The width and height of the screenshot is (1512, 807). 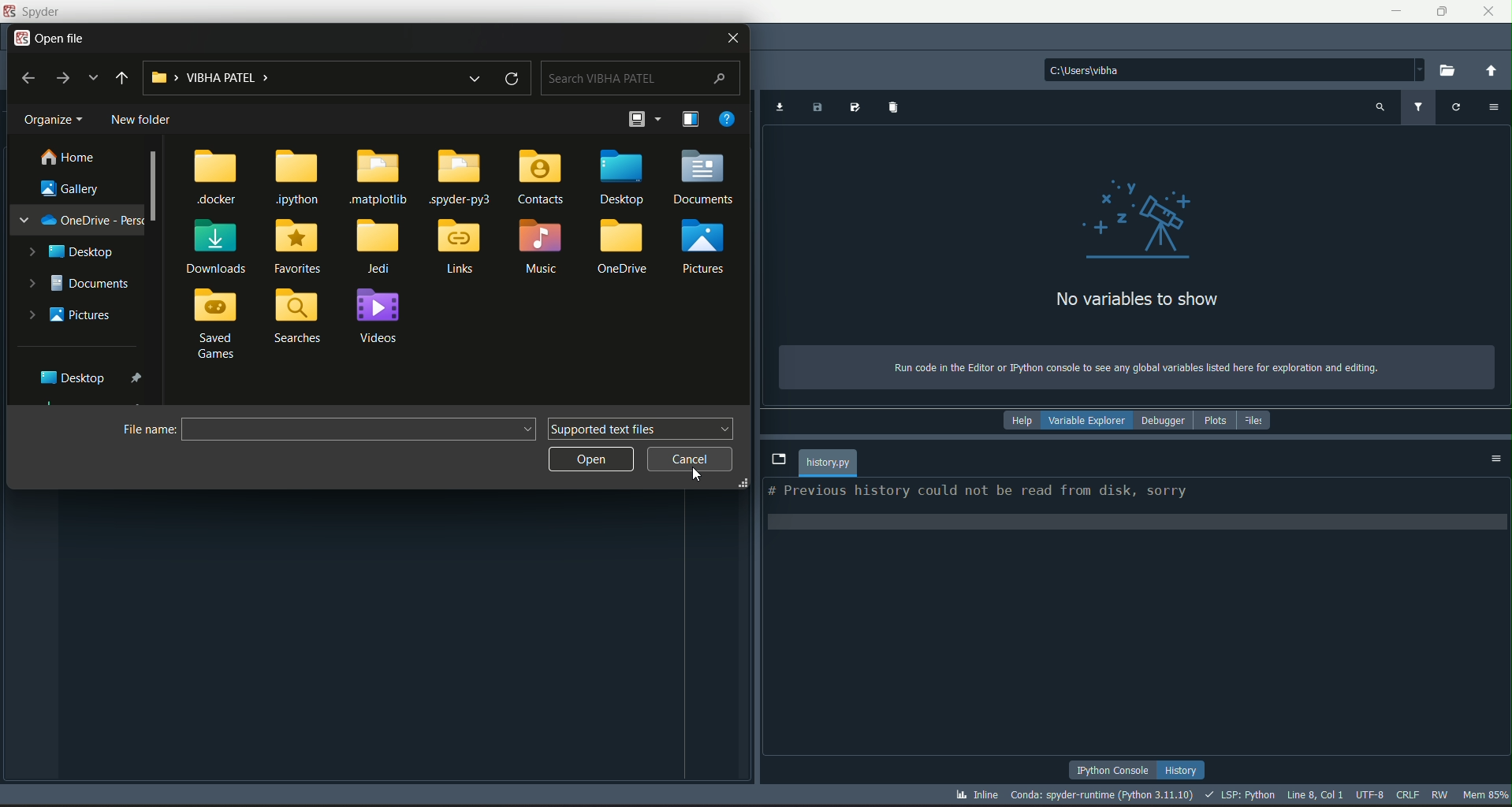 What do you see at coordinates (620, 176) in the screenshot?
I see `desktop` at bounding box center [620, 176].